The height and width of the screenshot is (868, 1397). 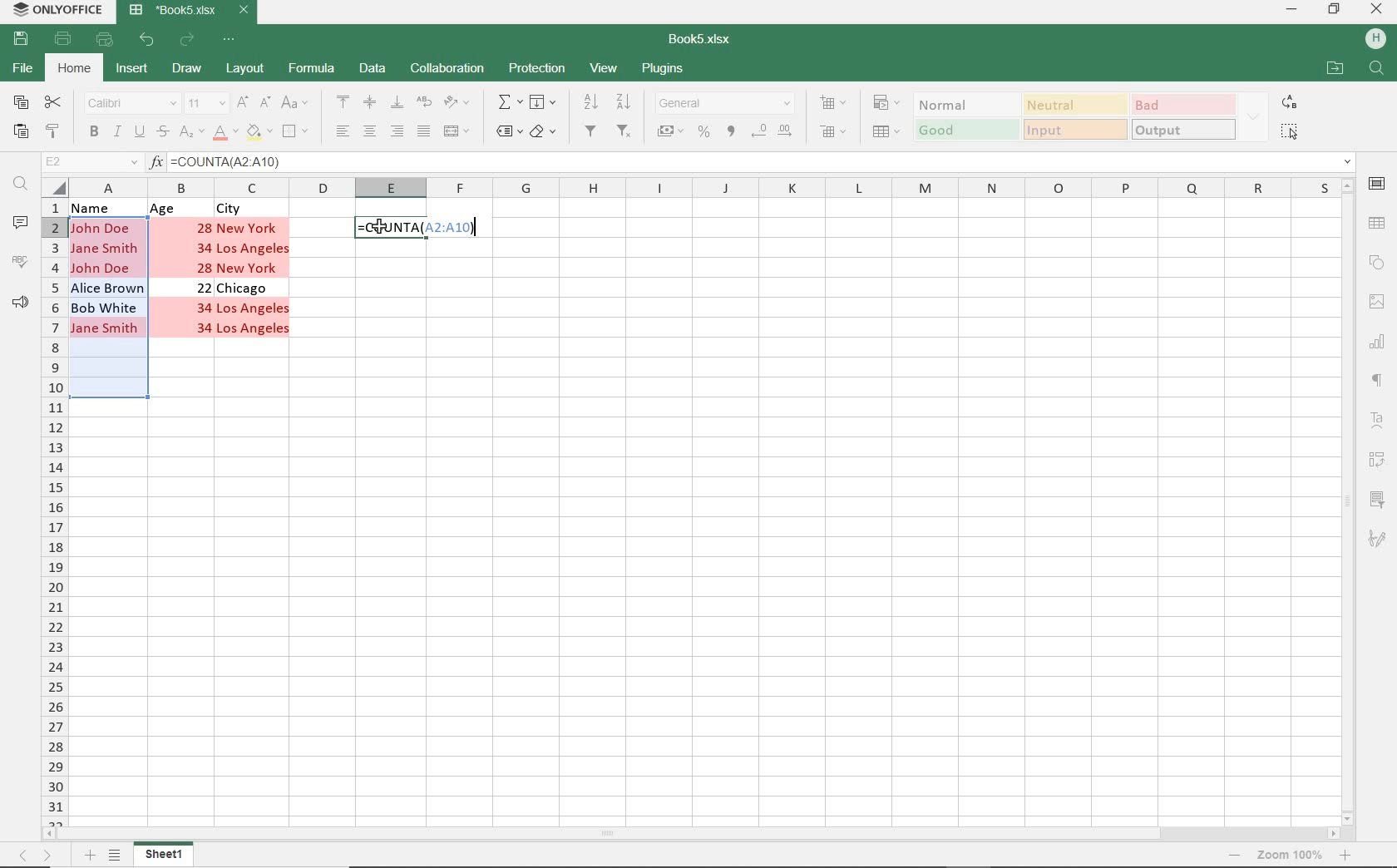 I want to click on UNDERLINE, so click(x=139, y=133).